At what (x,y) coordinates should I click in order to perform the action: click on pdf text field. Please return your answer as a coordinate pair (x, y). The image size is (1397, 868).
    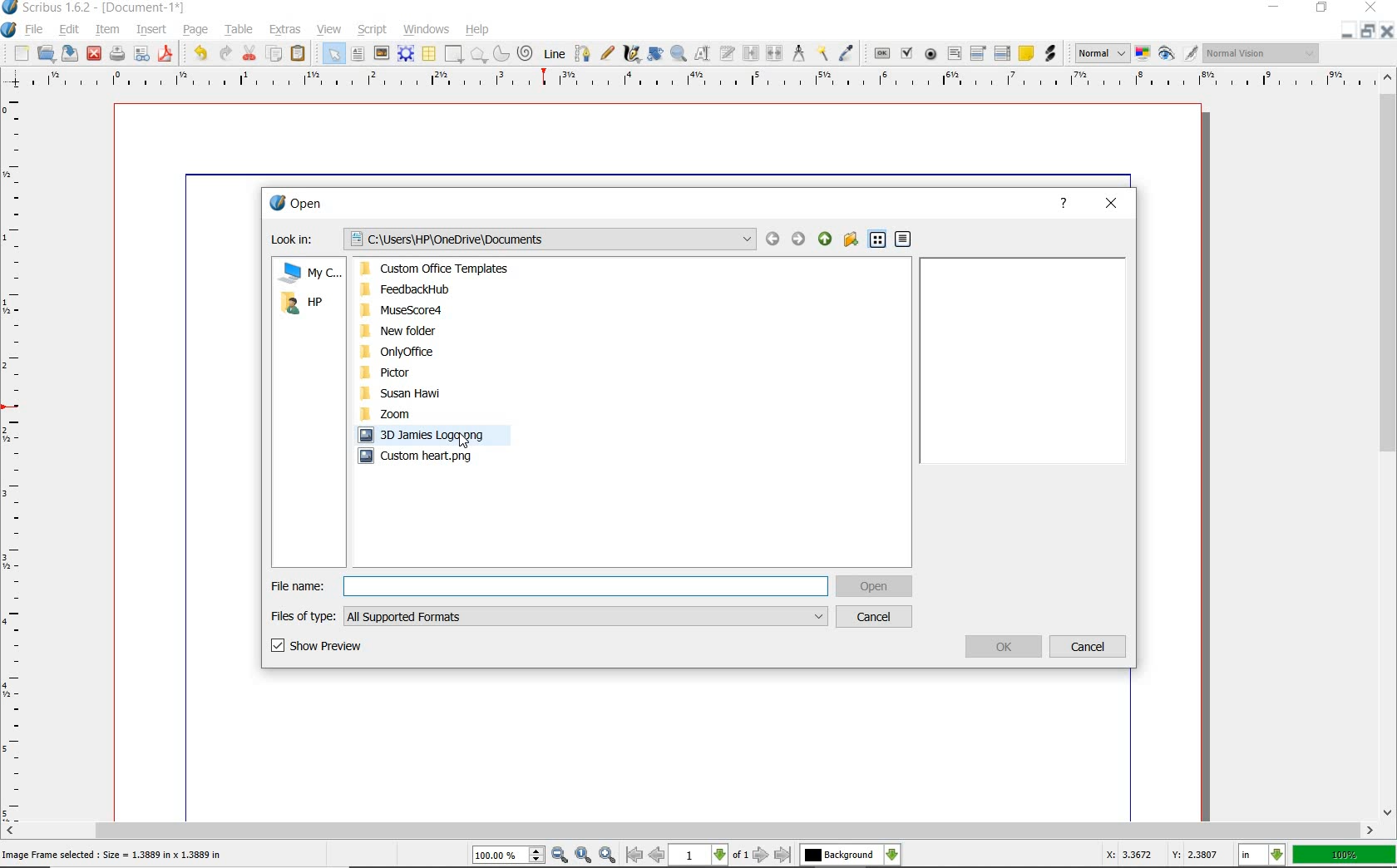
    Looking at the image, I should click on (953, 53).